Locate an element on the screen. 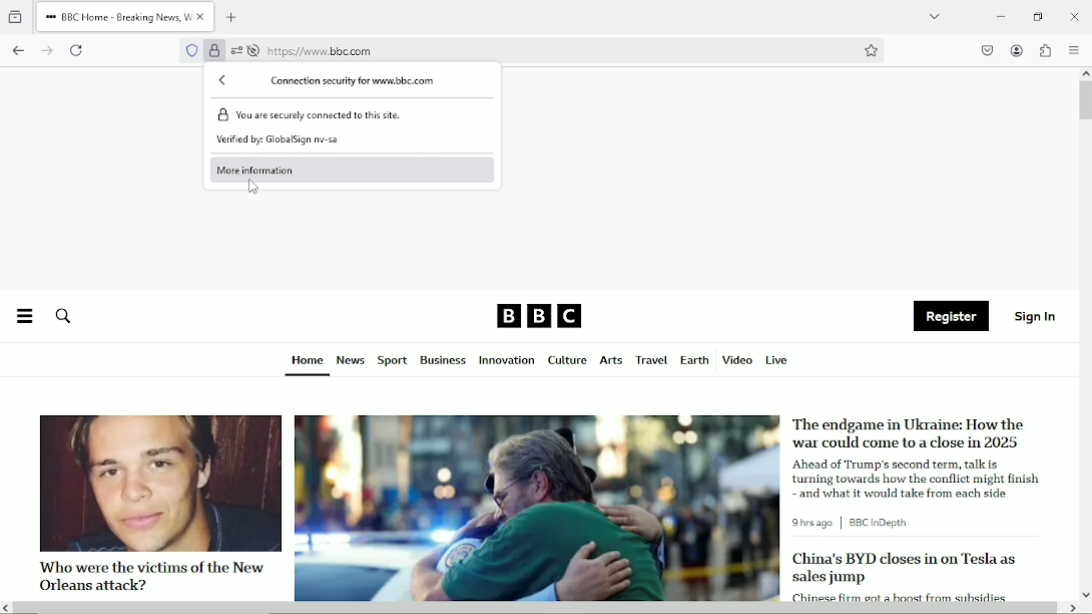  Reload current page is located at coordinates (79, 49).